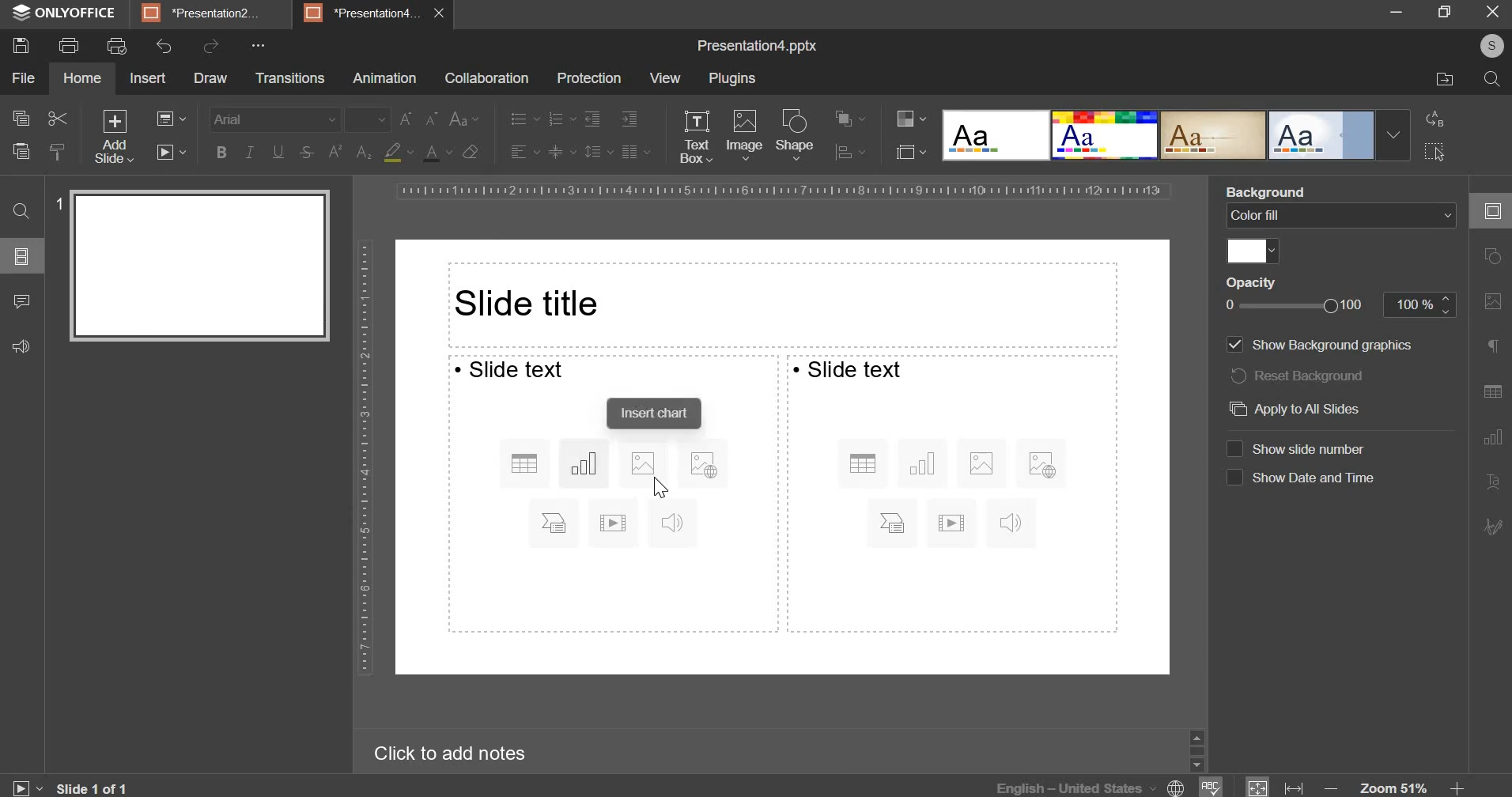 This screenshot has width=1512, height=797. I want to click on vertical alignment, so click(561, 152).